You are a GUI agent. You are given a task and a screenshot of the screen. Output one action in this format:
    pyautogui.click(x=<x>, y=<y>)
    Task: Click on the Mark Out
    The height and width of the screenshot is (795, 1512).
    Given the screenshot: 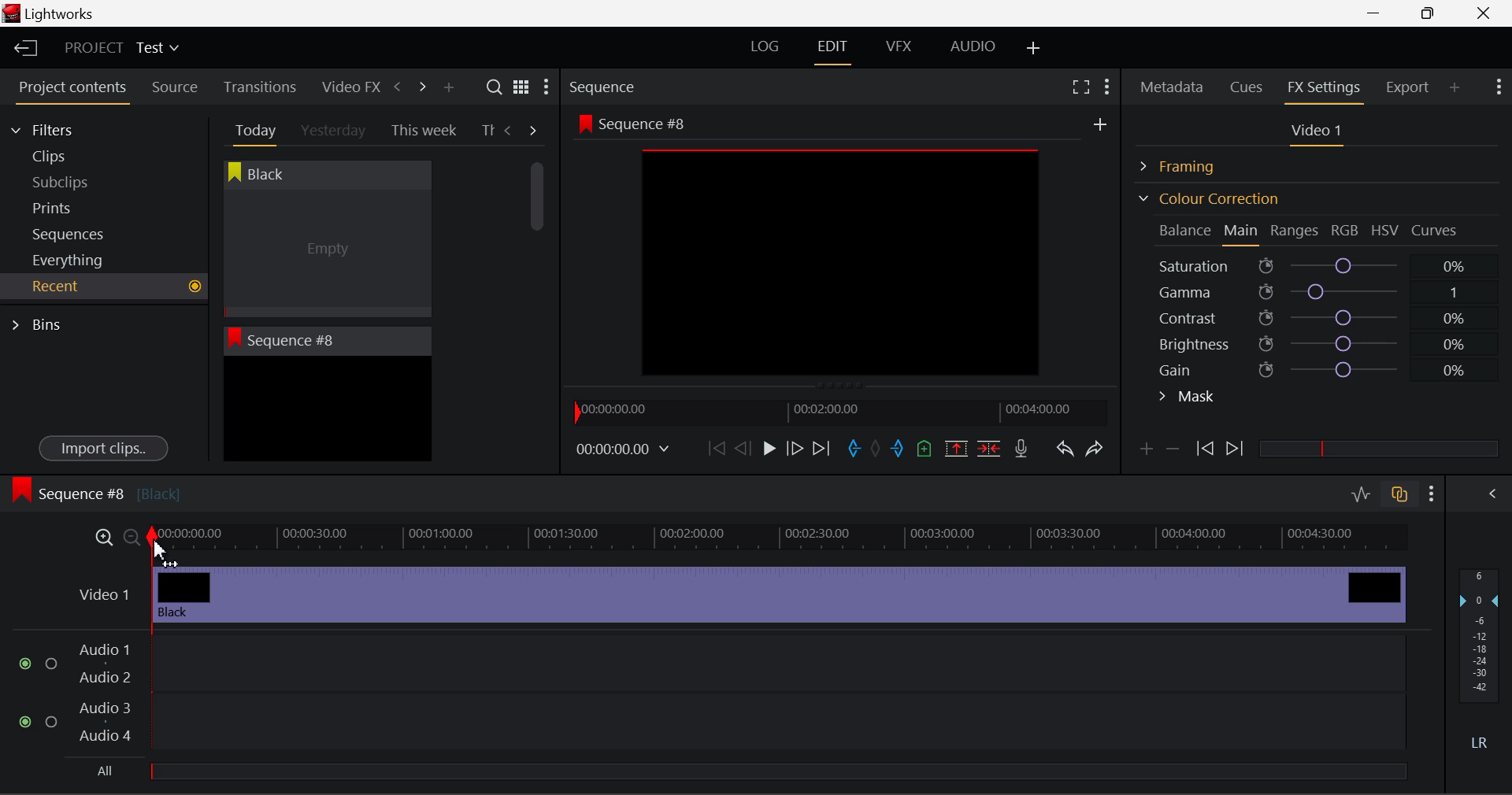 What is the action you would take?
    pyautogui.click(x=899, y=449)
    